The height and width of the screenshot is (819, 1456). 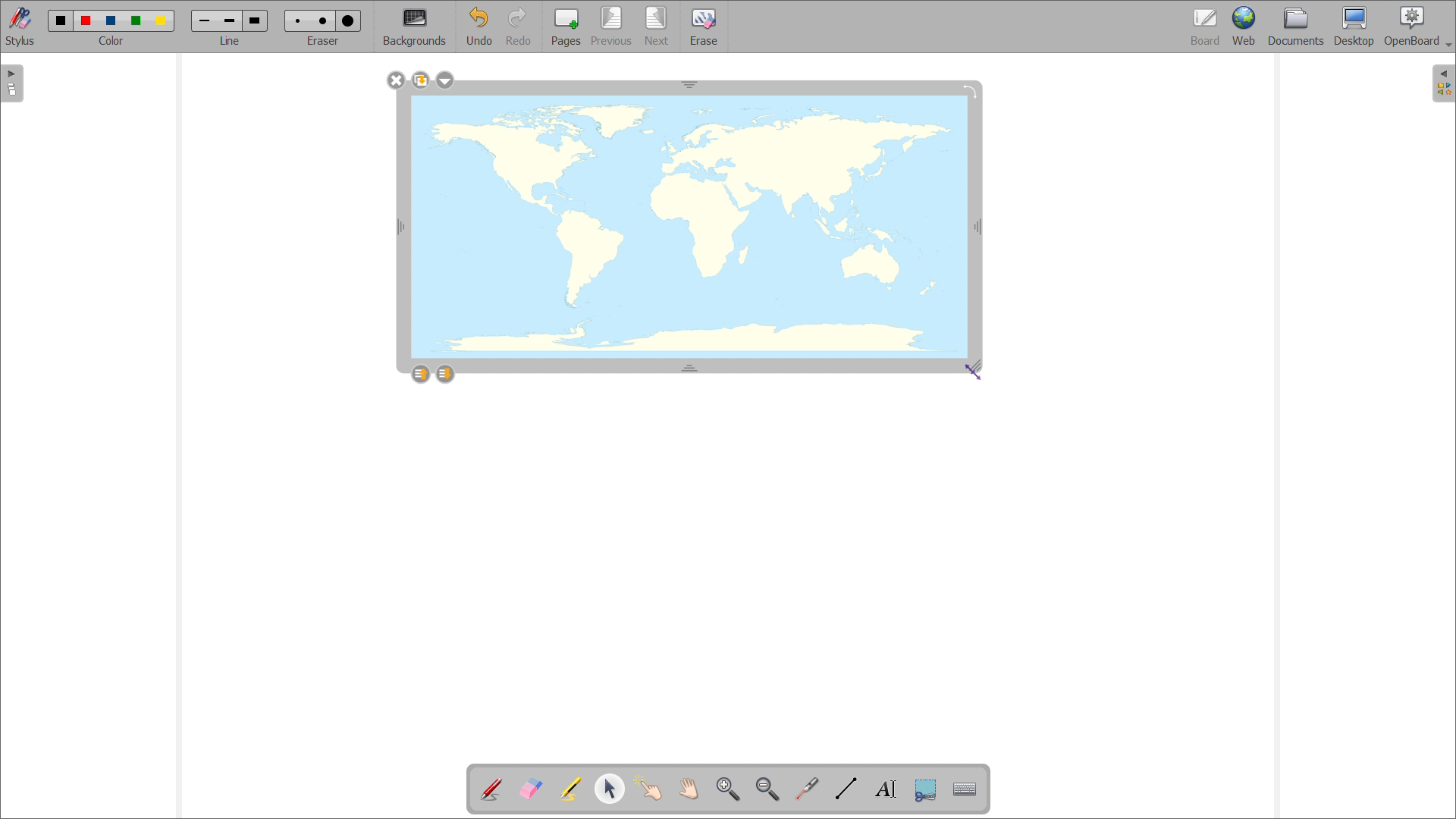 What do you see at coordinates (256, 20) in the screenshot?
I see `large` at bounding box center [256, 20].